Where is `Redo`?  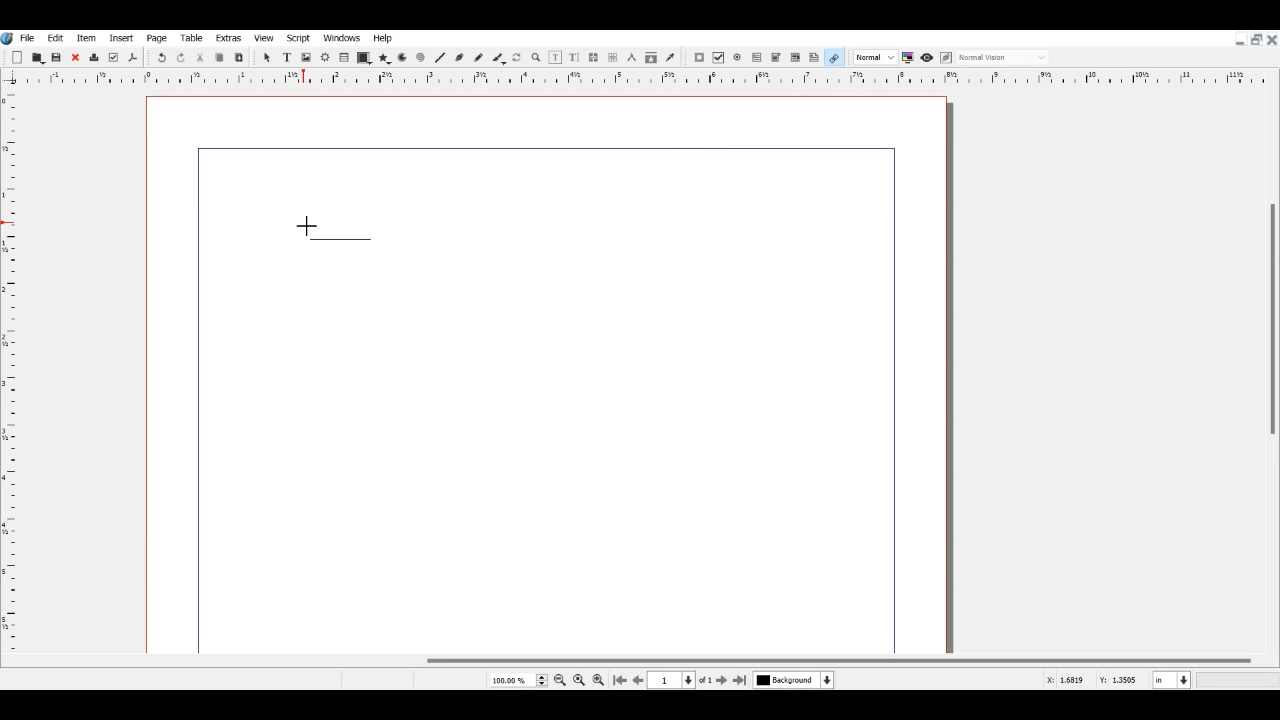 Redo is located at coordinates (182, 58).